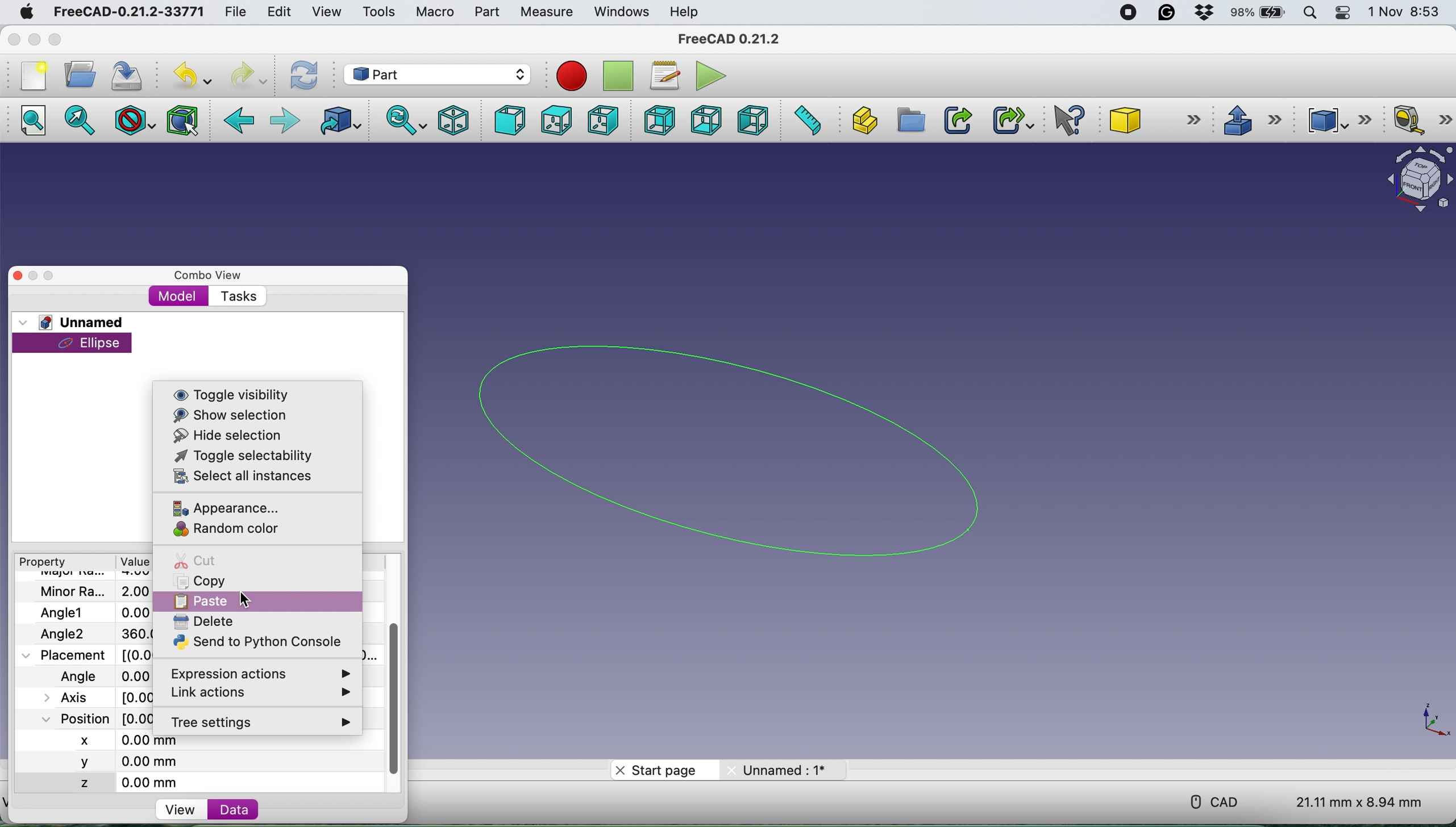 Image resolution: width=1456 pixels, height=827 pixels. I want to click on windows, so click(618, 11).